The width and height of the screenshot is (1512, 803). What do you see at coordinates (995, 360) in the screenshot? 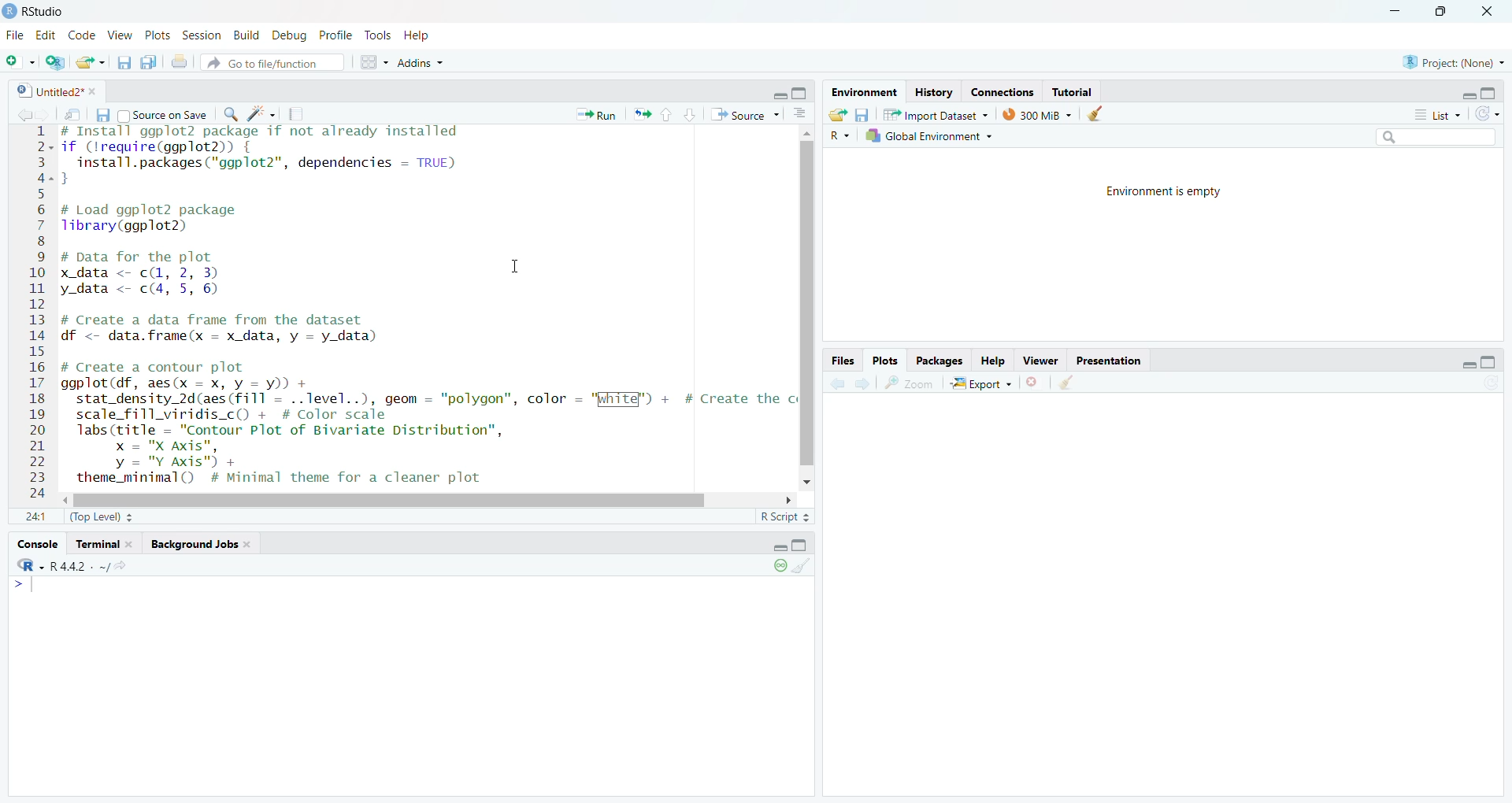
I see `Help.` at bounding box center [995, 360].